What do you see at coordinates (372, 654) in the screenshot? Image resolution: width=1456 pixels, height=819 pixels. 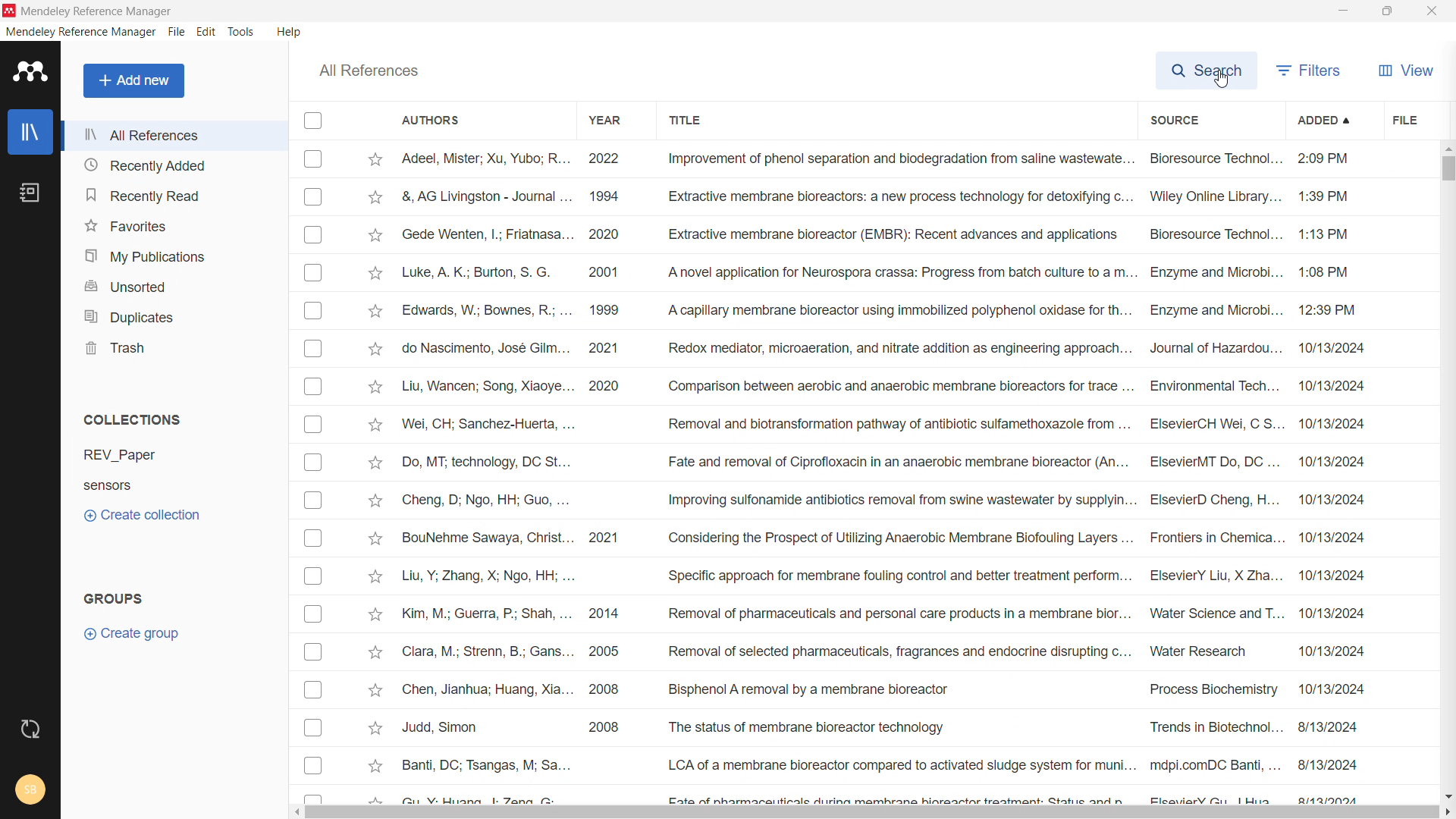 I see `Add to favorites` at bounding box center [372, 654].